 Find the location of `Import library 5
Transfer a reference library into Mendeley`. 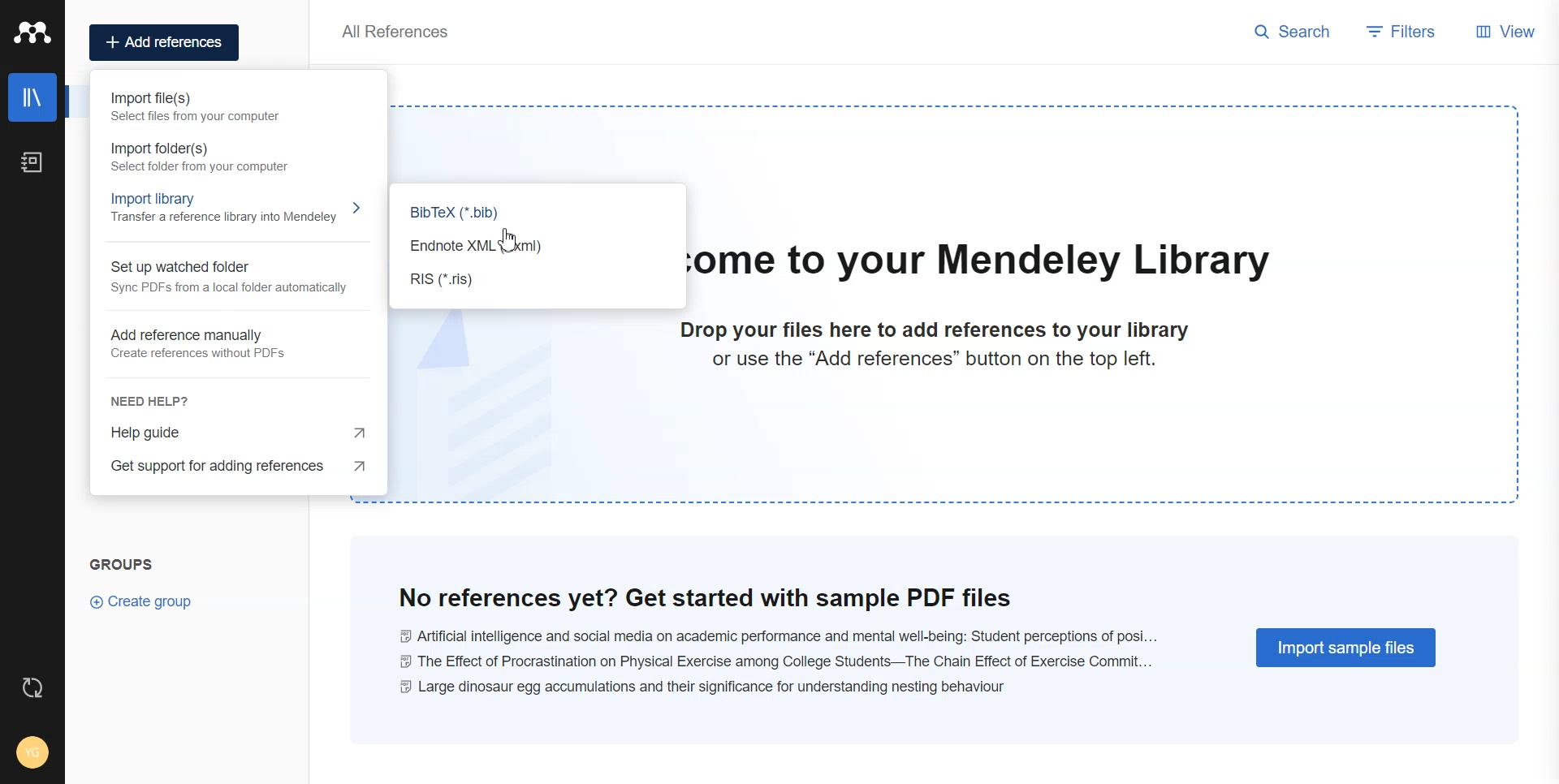

Import library 5
Transfer a reference library into Mendeley is located at coordinates (233, 213).